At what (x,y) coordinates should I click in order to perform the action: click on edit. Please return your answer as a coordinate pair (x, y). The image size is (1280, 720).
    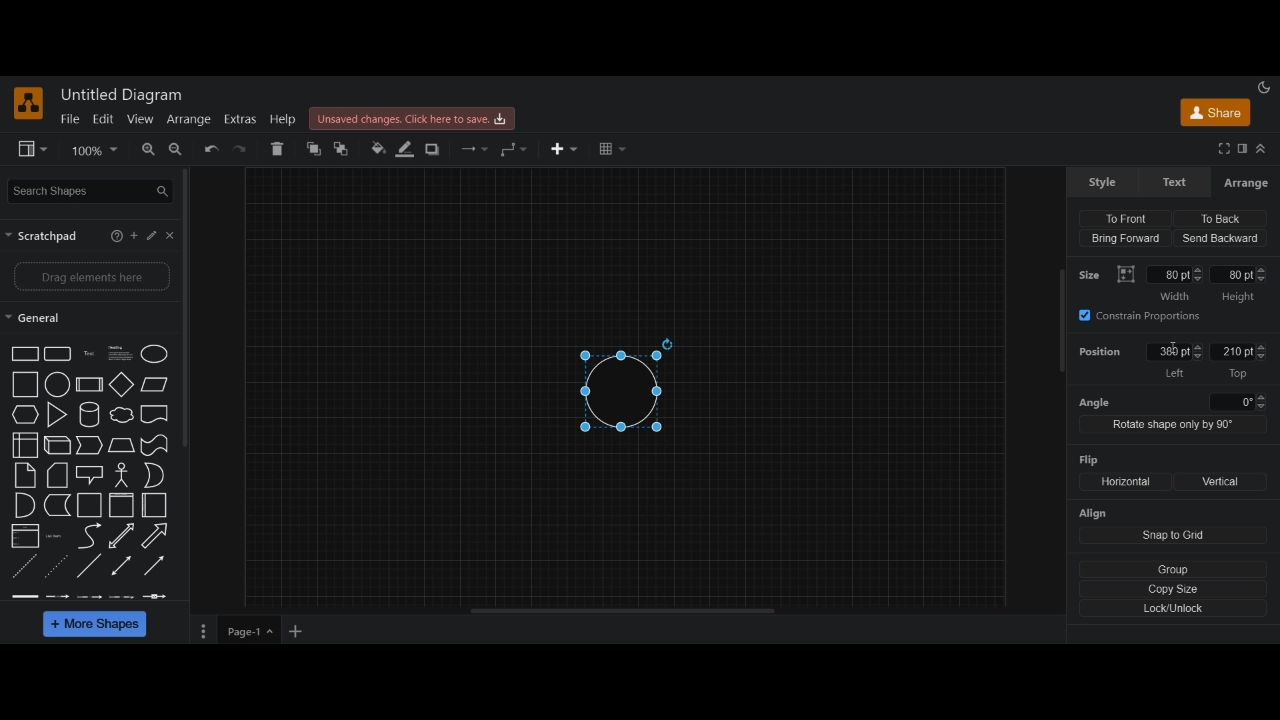
    Looking at the image, I should click on (102, 118).